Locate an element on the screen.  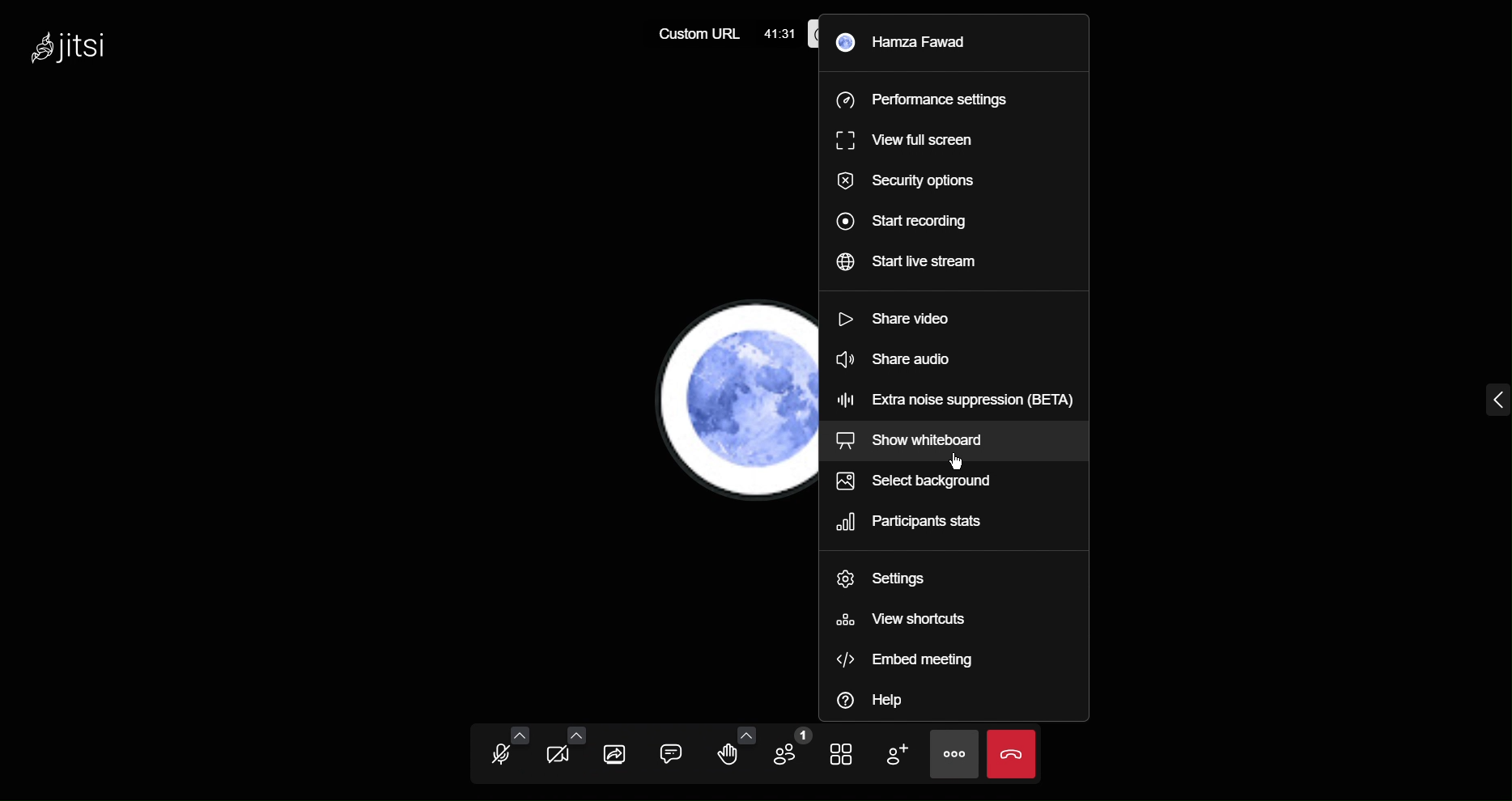
Share Screen is located at coordinates (618, 752).